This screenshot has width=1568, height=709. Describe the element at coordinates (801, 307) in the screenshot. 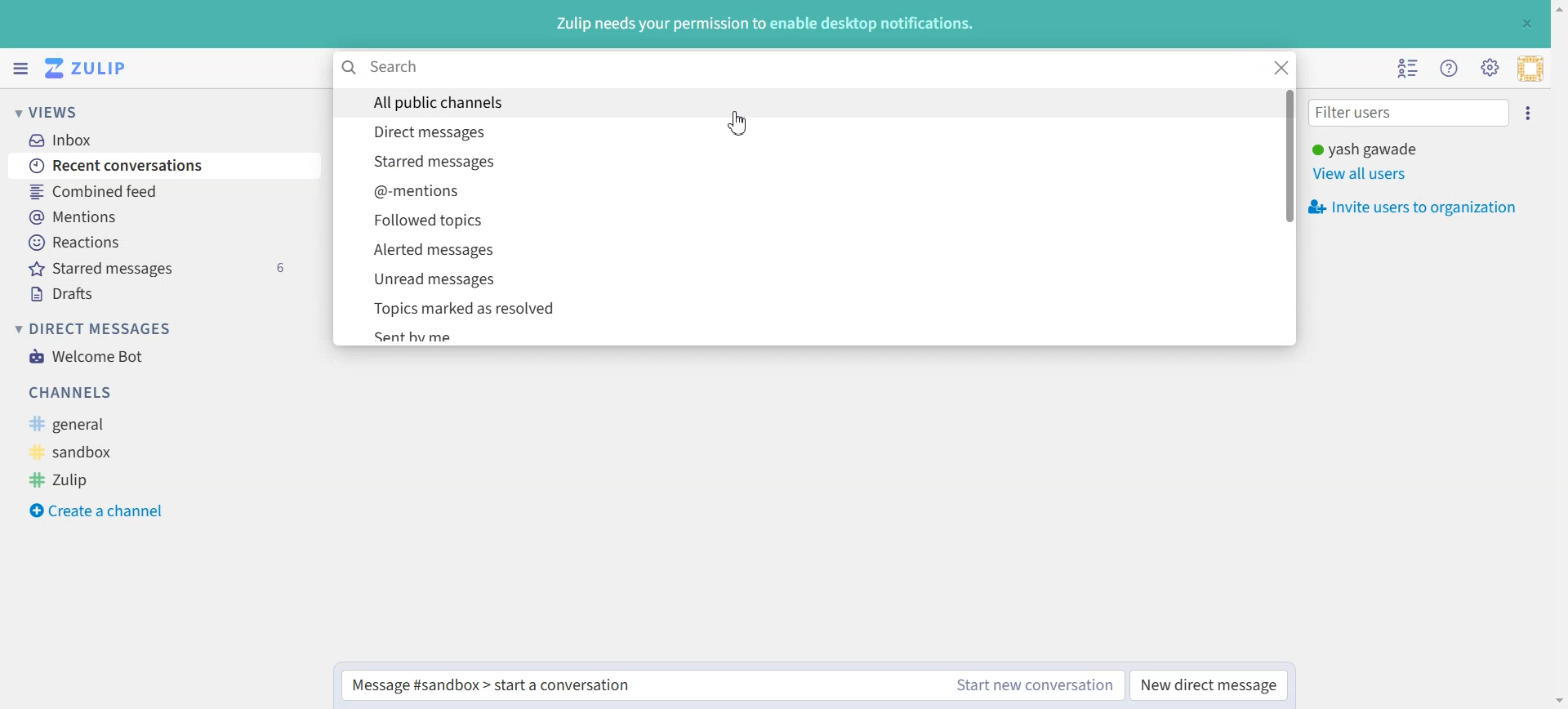

I see `Topics marked as resolved` at that location.